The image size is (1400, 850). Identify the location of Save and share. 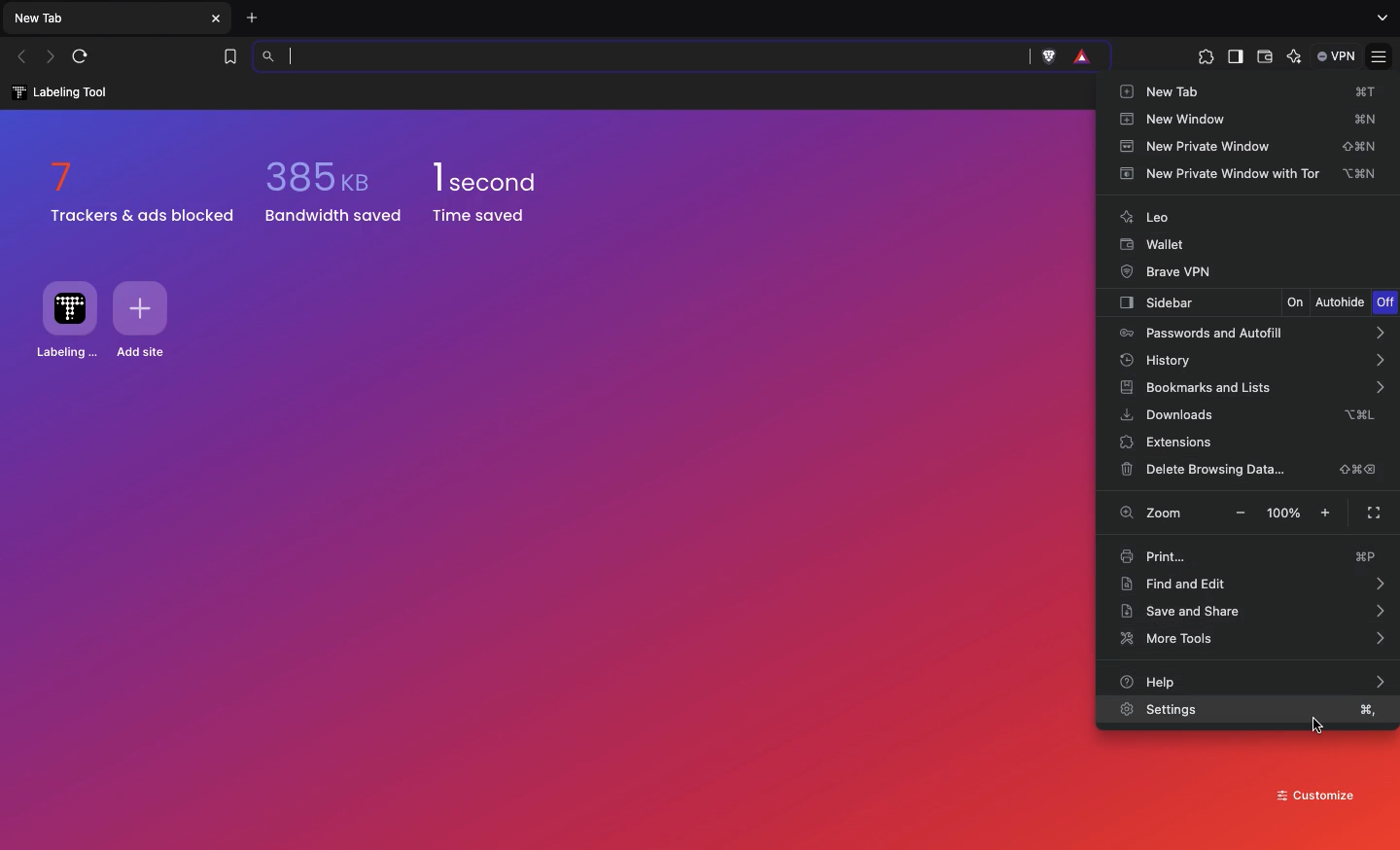
(1252, 612).